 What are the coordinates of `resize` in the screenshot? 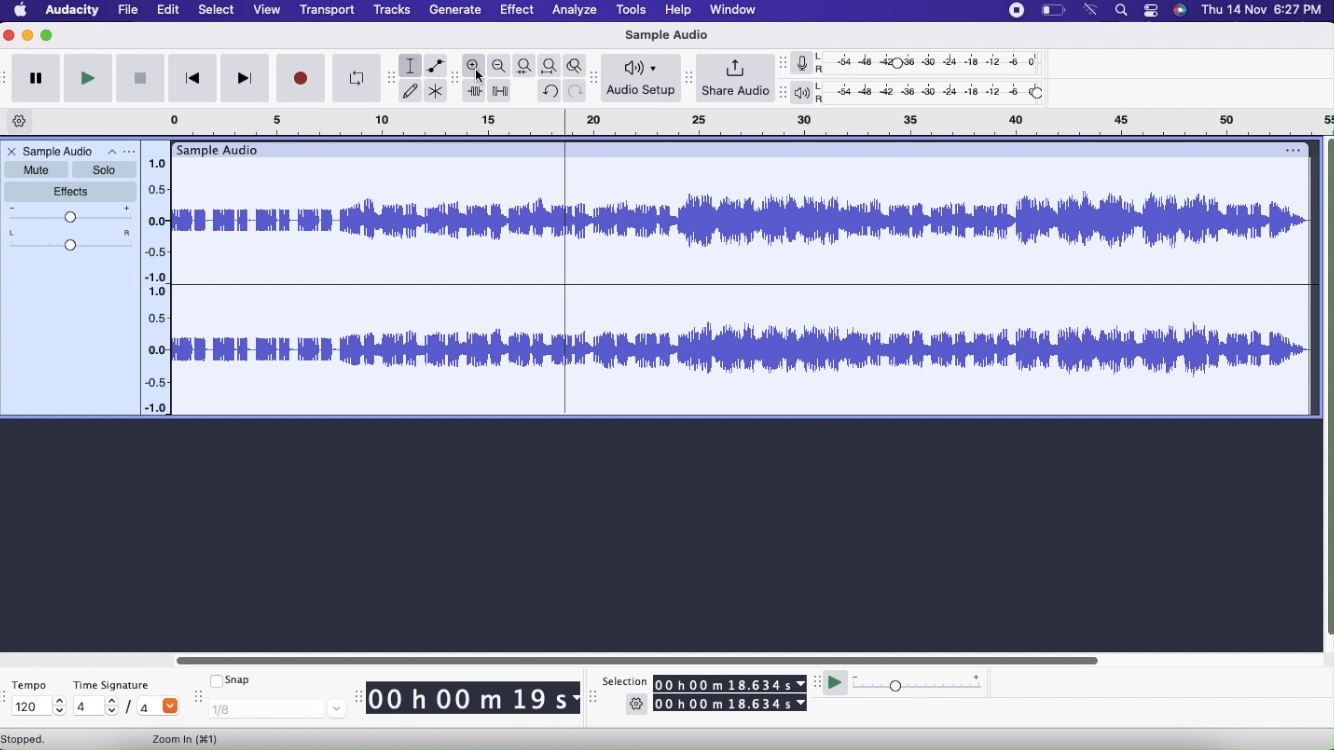 It's located at (197, 699).